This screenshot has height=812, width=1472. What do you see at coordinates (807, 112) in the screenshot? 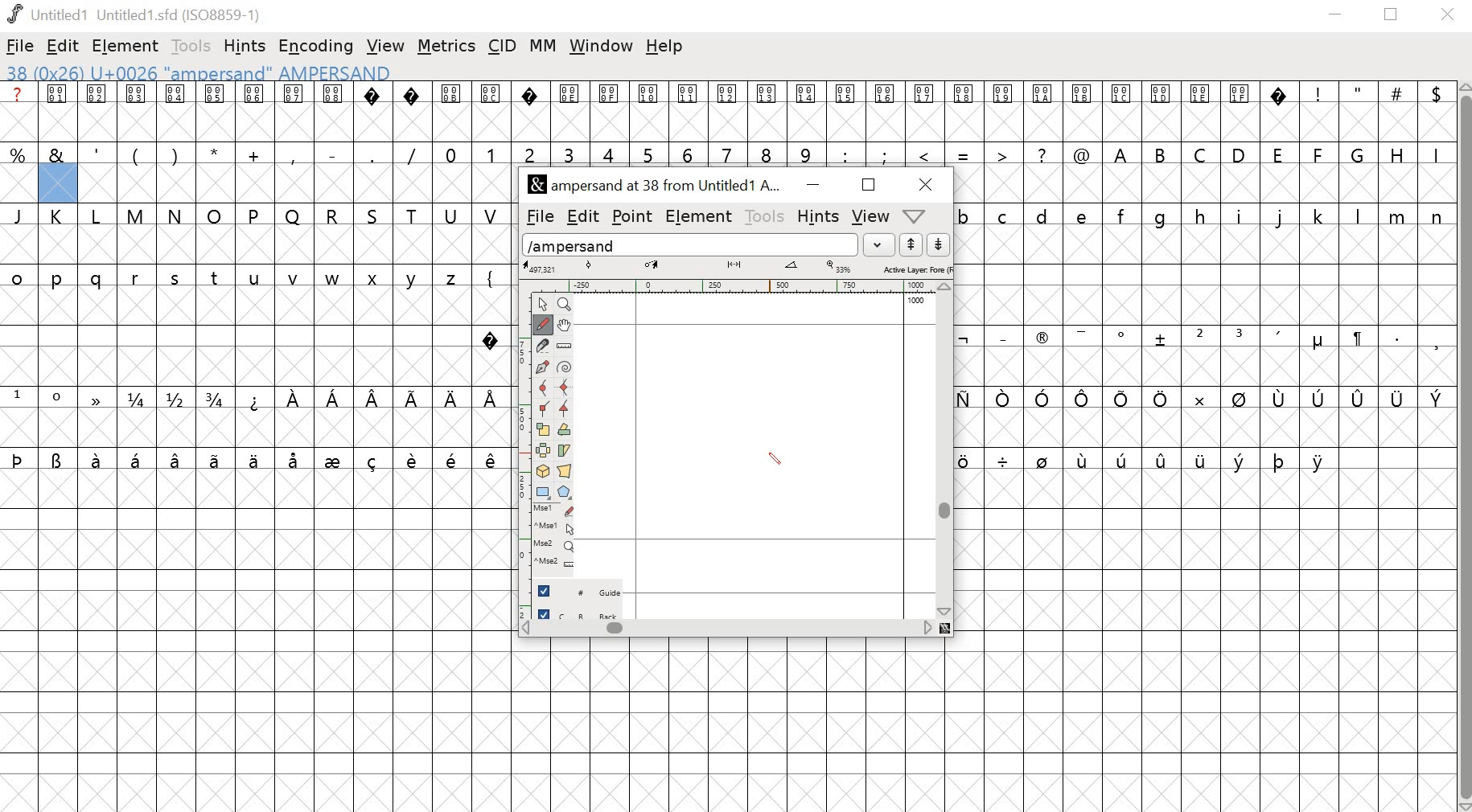
I see `0014` at bounding box center [807, 112].